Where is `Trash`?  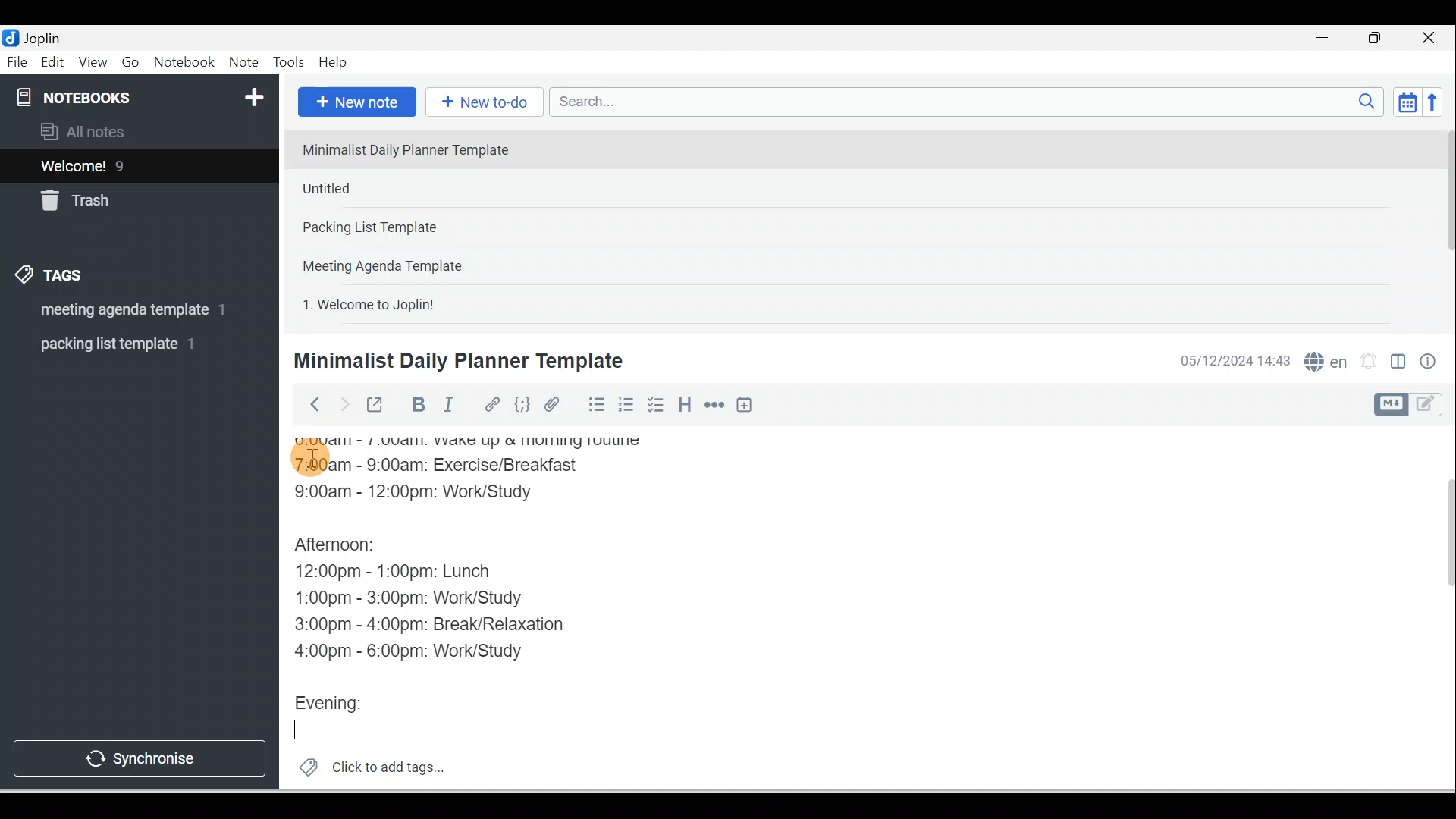
Trash is located at coordinates (111, 196).